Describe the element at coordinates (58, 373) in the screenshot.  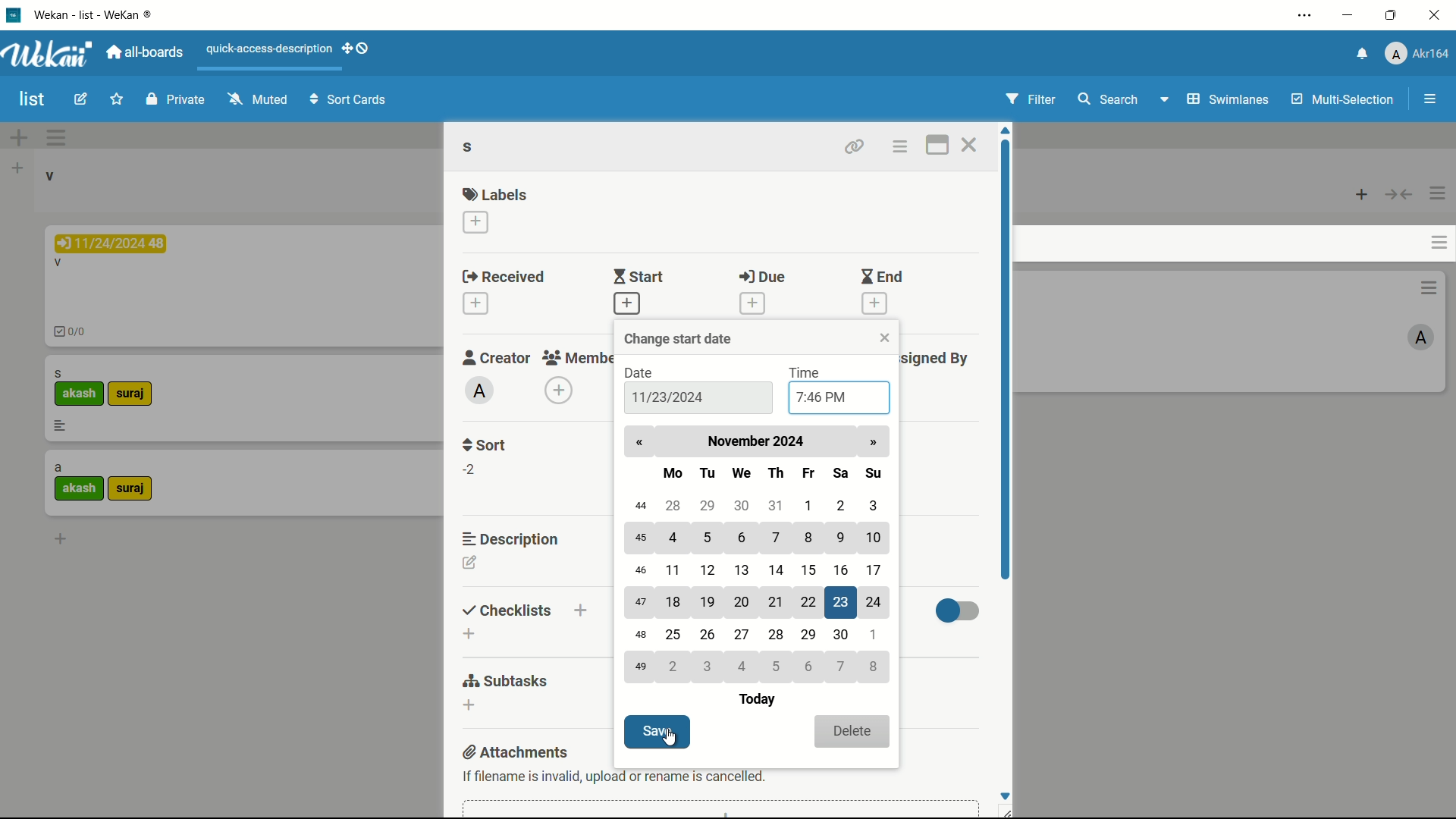
I see `card name` at that location.